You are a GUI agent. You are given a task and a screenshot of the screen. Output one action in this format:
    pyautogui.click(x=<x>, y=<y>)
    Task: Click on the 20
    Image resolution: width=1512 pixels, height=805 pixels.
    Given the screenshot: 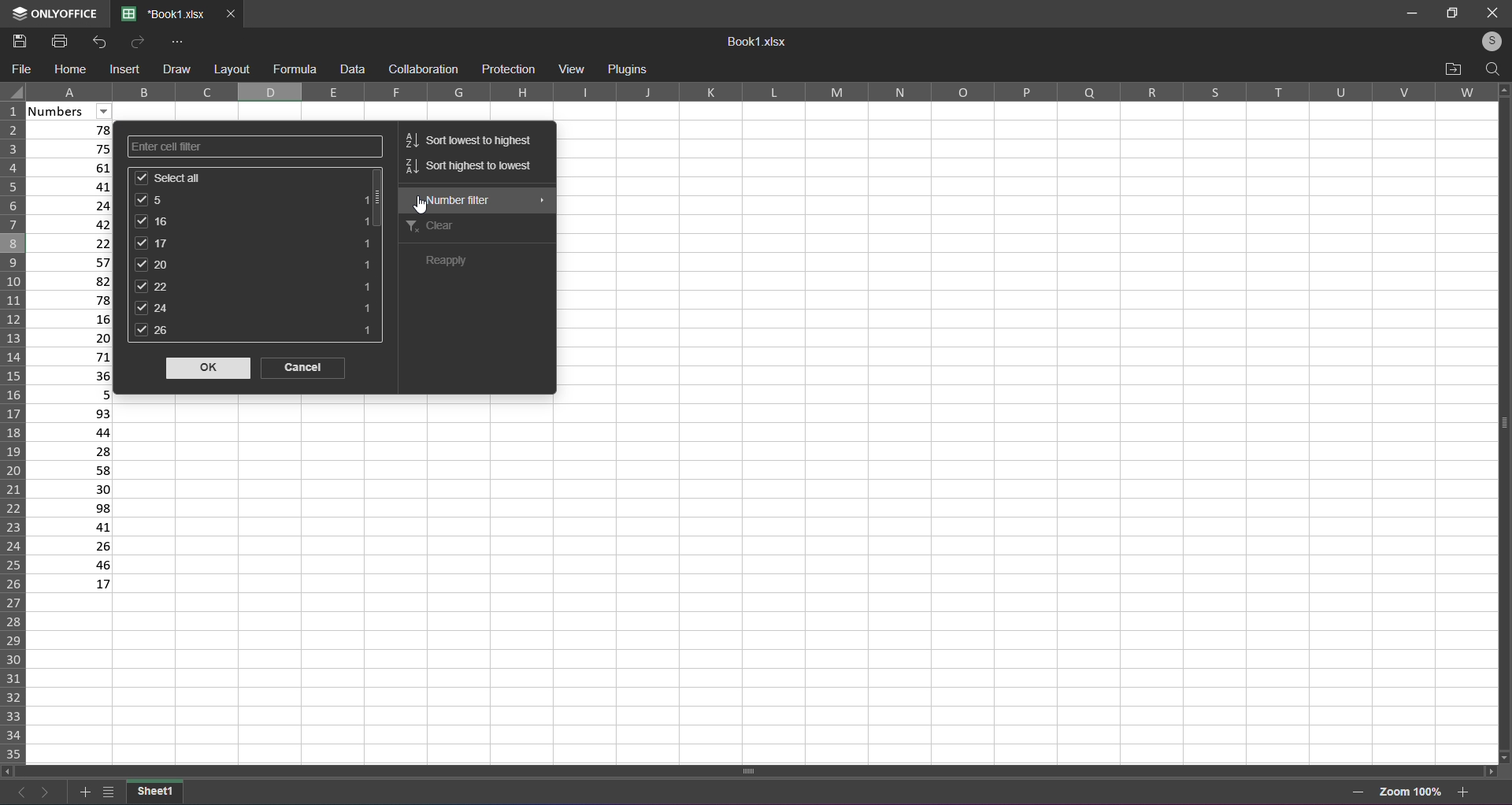 What is the action you would take?
    pyautogui.click(x=72, y=339)
    